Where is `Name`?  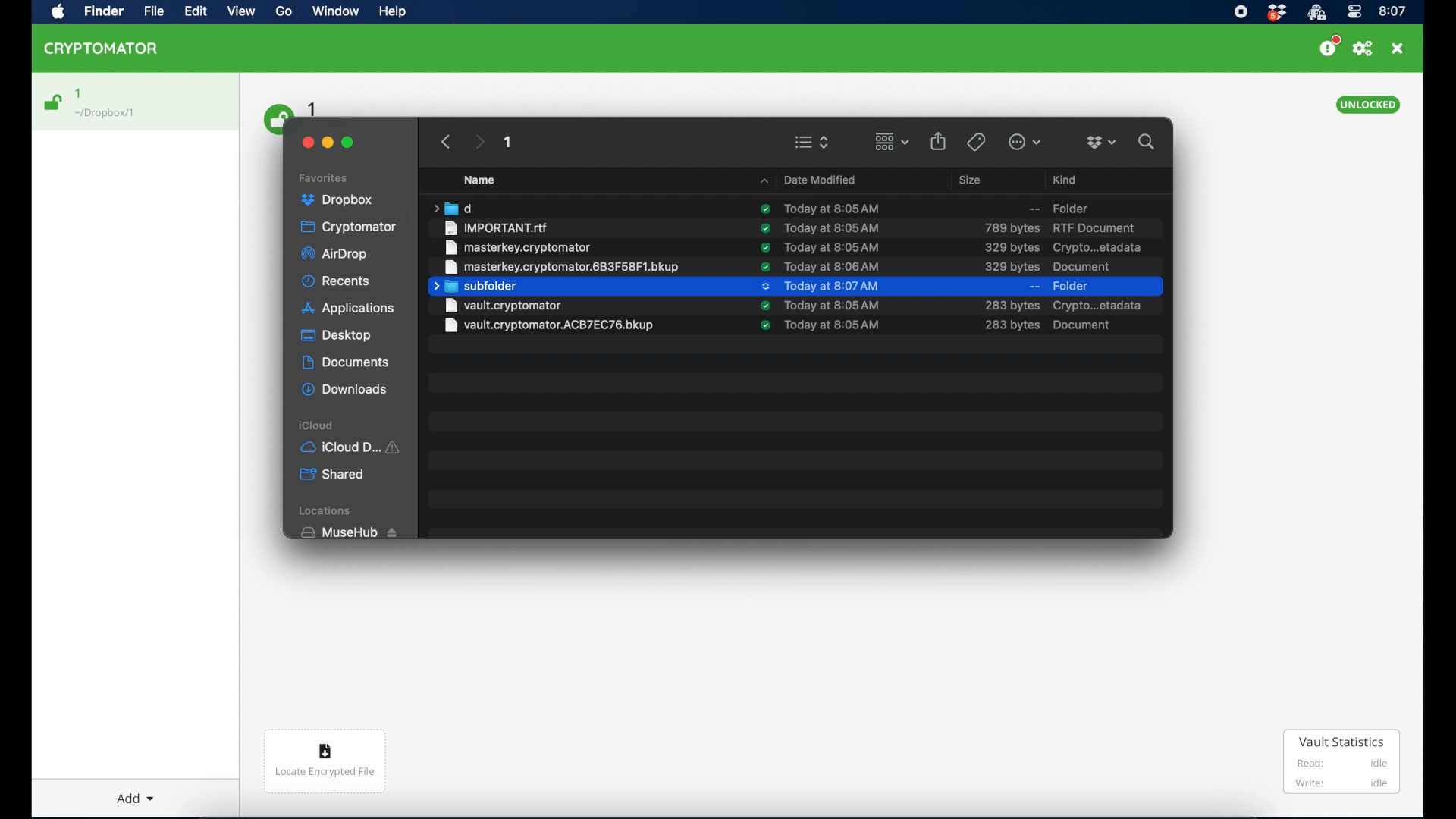 Name is located at coordinates (488, 180).